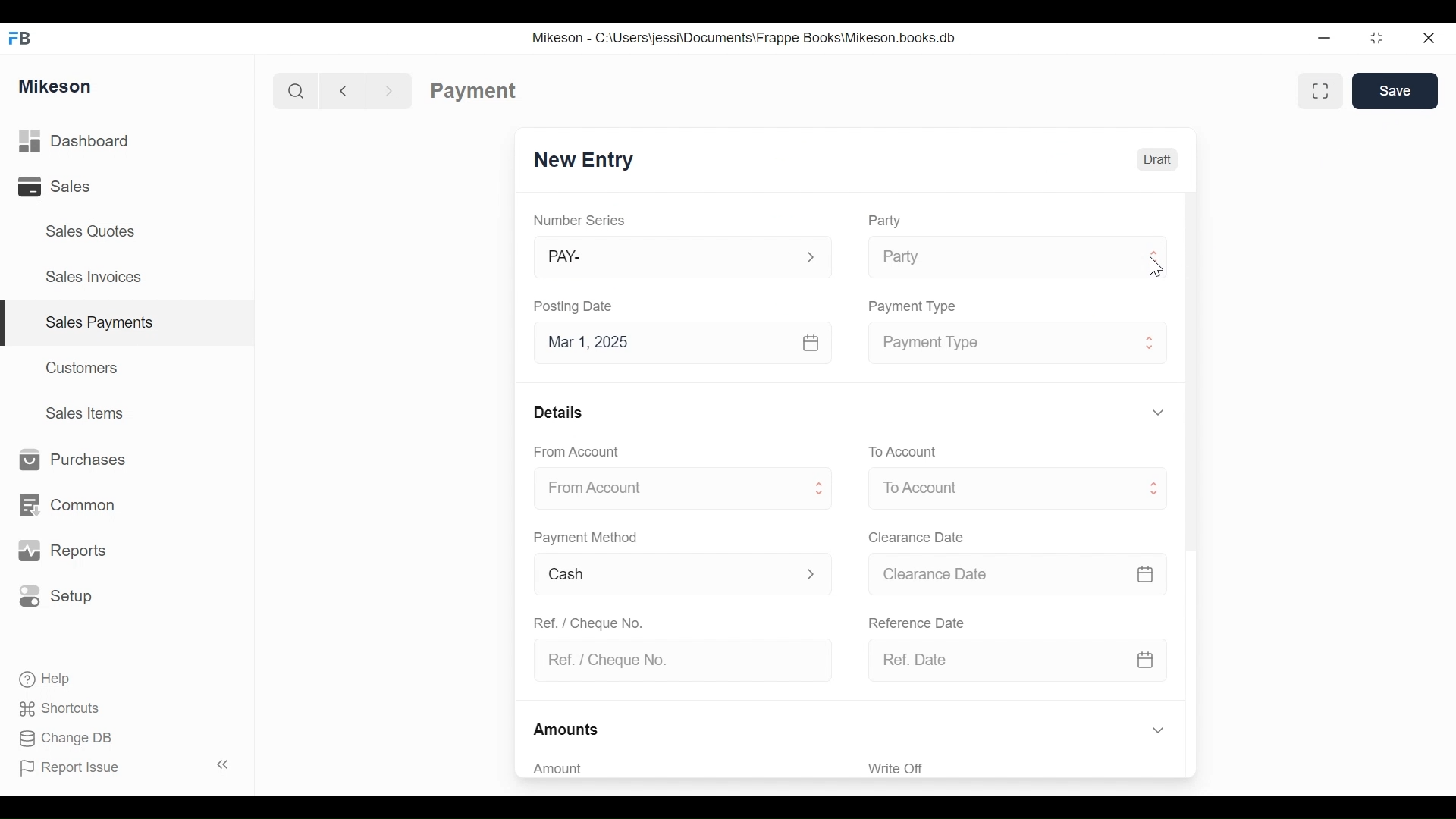 The width and height of the screenshot is (1456, 819). I want to click on New Entry, so click(583, 158).